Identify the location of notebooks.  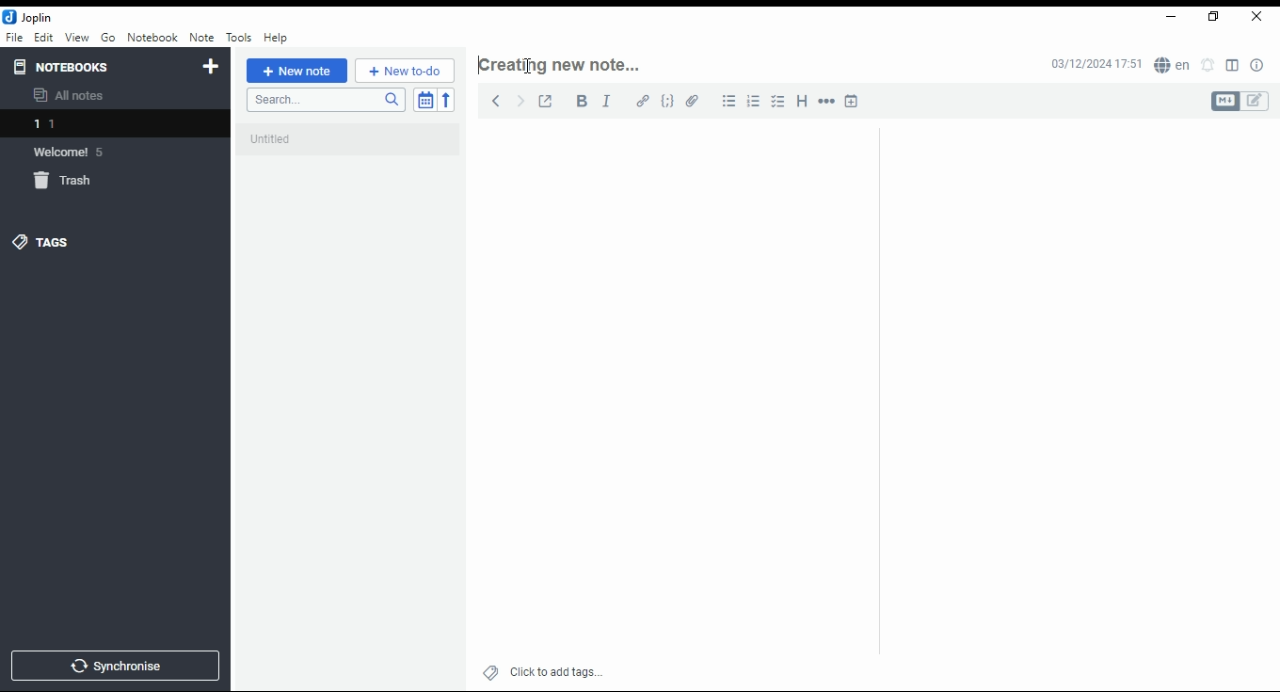
(66, 66).